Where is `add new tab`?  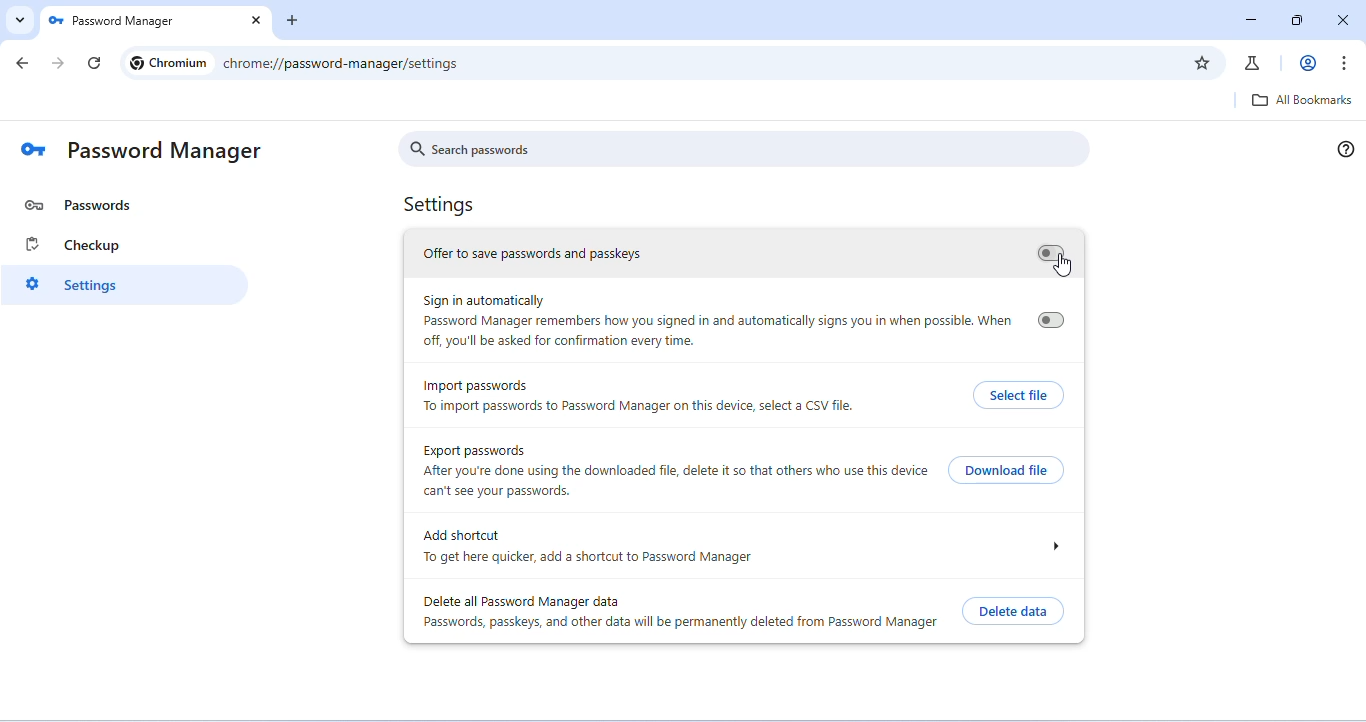
add new tab is located at coordinates (293, 20).